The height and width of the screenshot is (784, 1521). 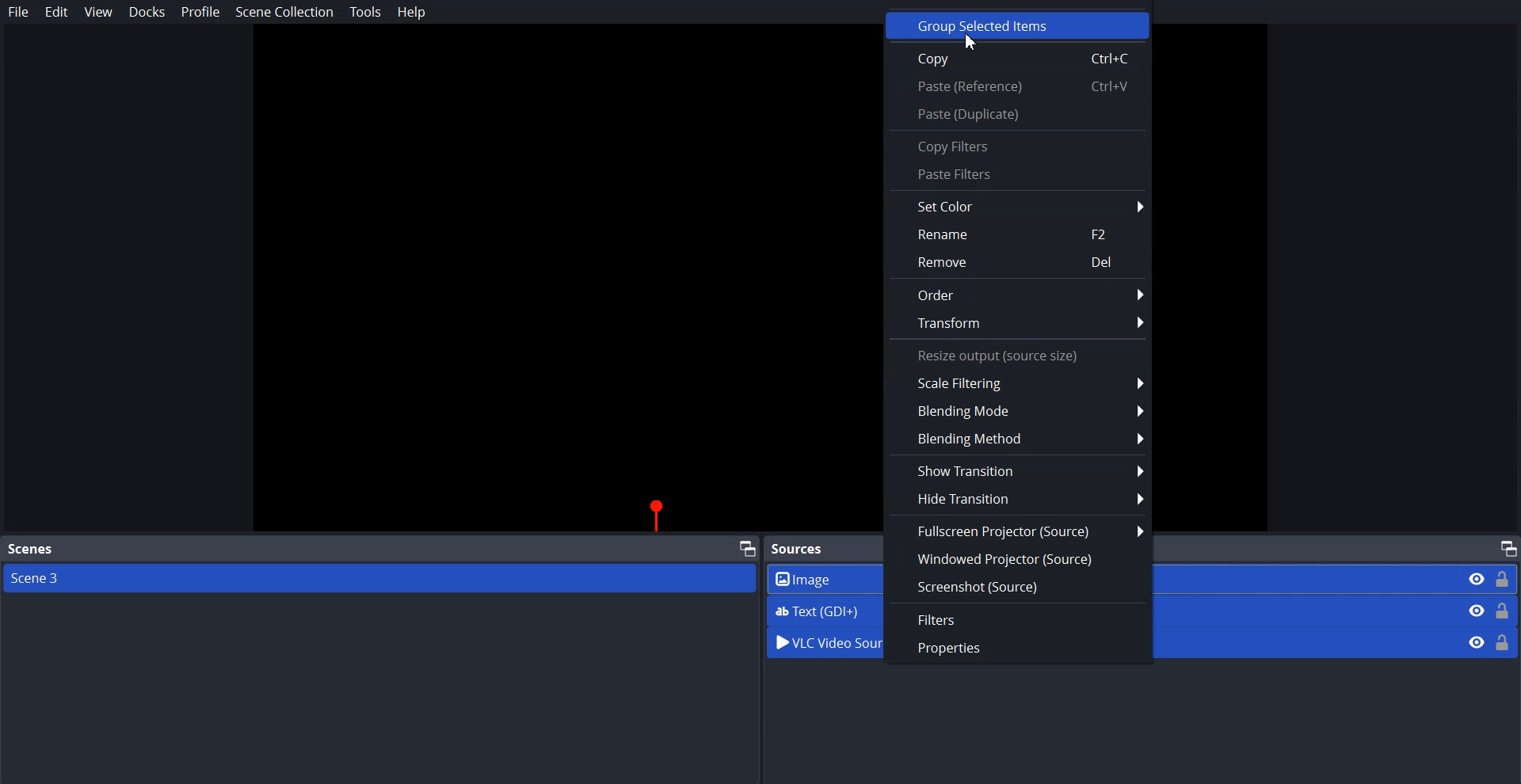 I want to click on Copy Filters, so click(x=1004, y=147).